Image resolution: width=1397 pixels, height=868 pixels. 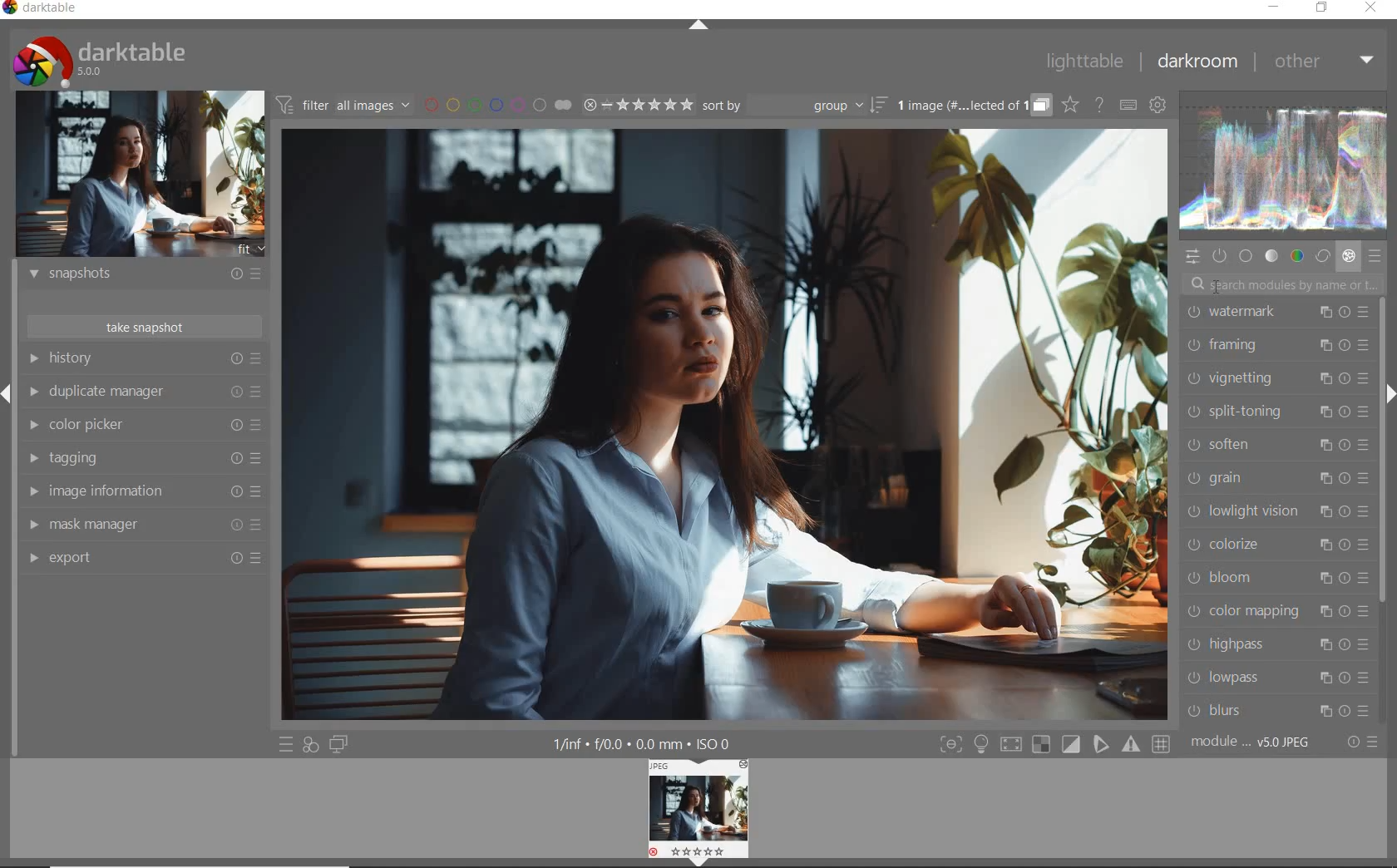 What do you see at coordinates (1282, 284) in the screenshot?
I see `search modules by name` at bounding box center [1282, 284].